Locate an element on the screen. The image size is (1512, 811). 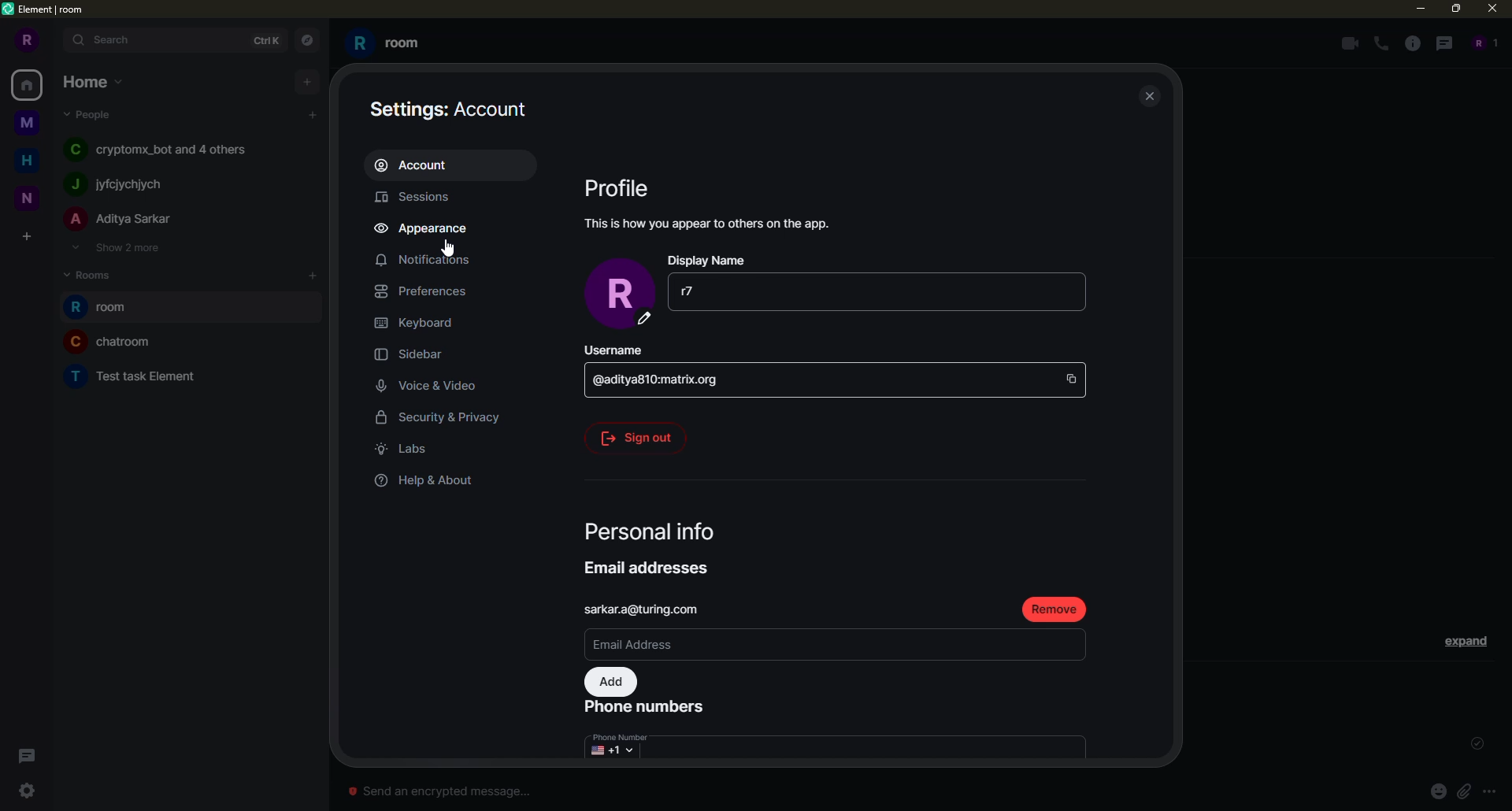
sessions is located at coordinates (422, 196).